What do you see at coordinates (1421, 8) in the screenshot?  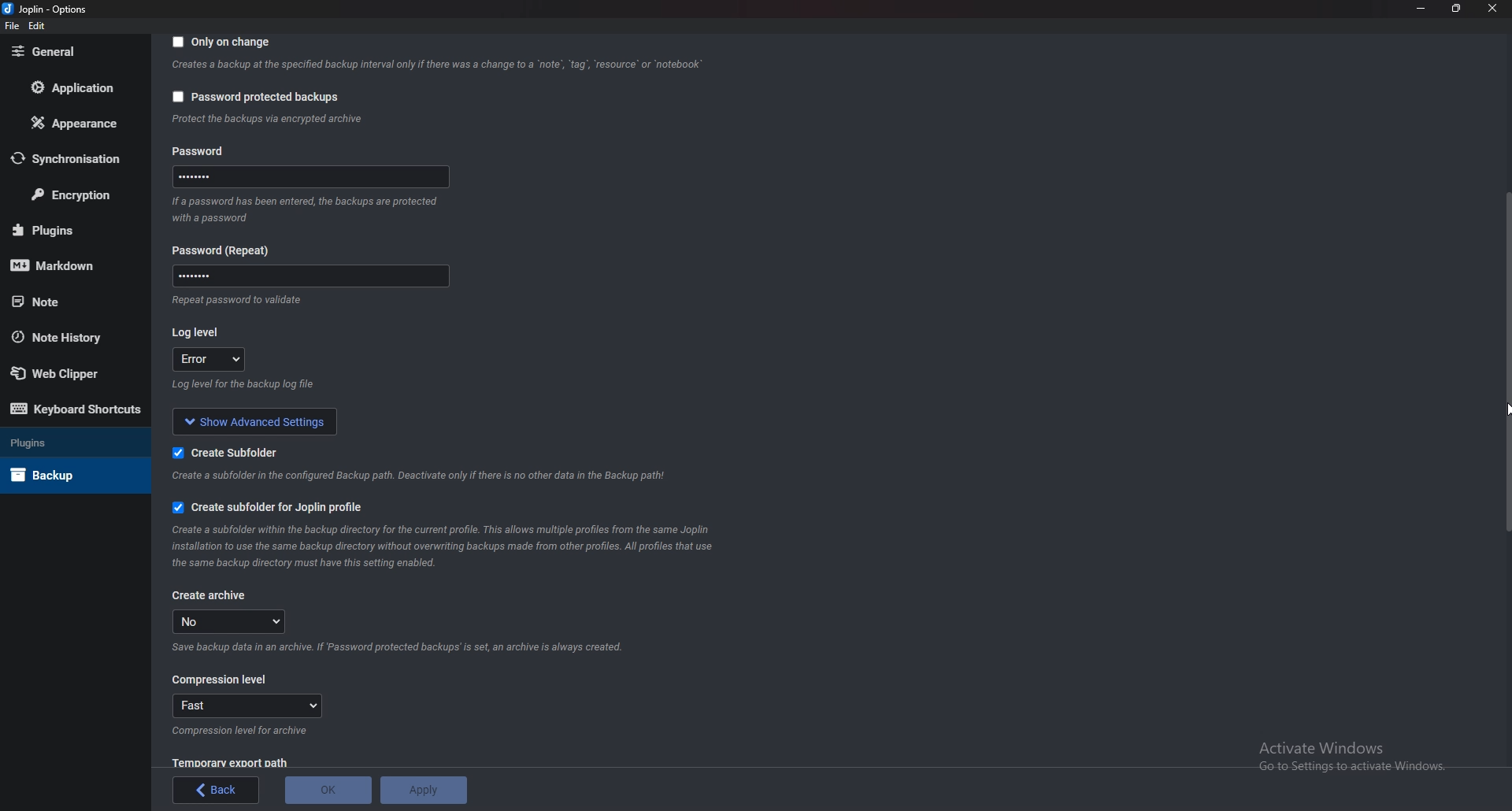 I see `minimize` at bounding box center [1421, 8].